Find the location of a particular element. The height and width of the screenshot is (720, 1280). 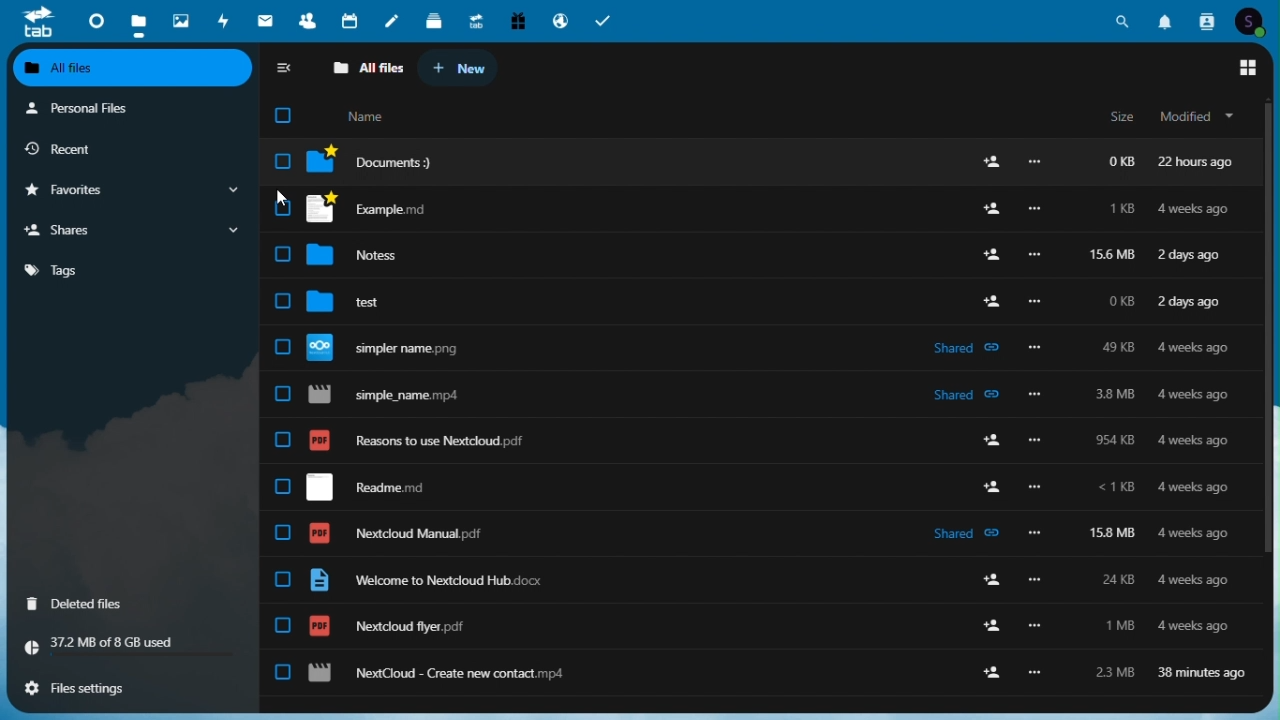

check box is located at coordinates (282, 254).